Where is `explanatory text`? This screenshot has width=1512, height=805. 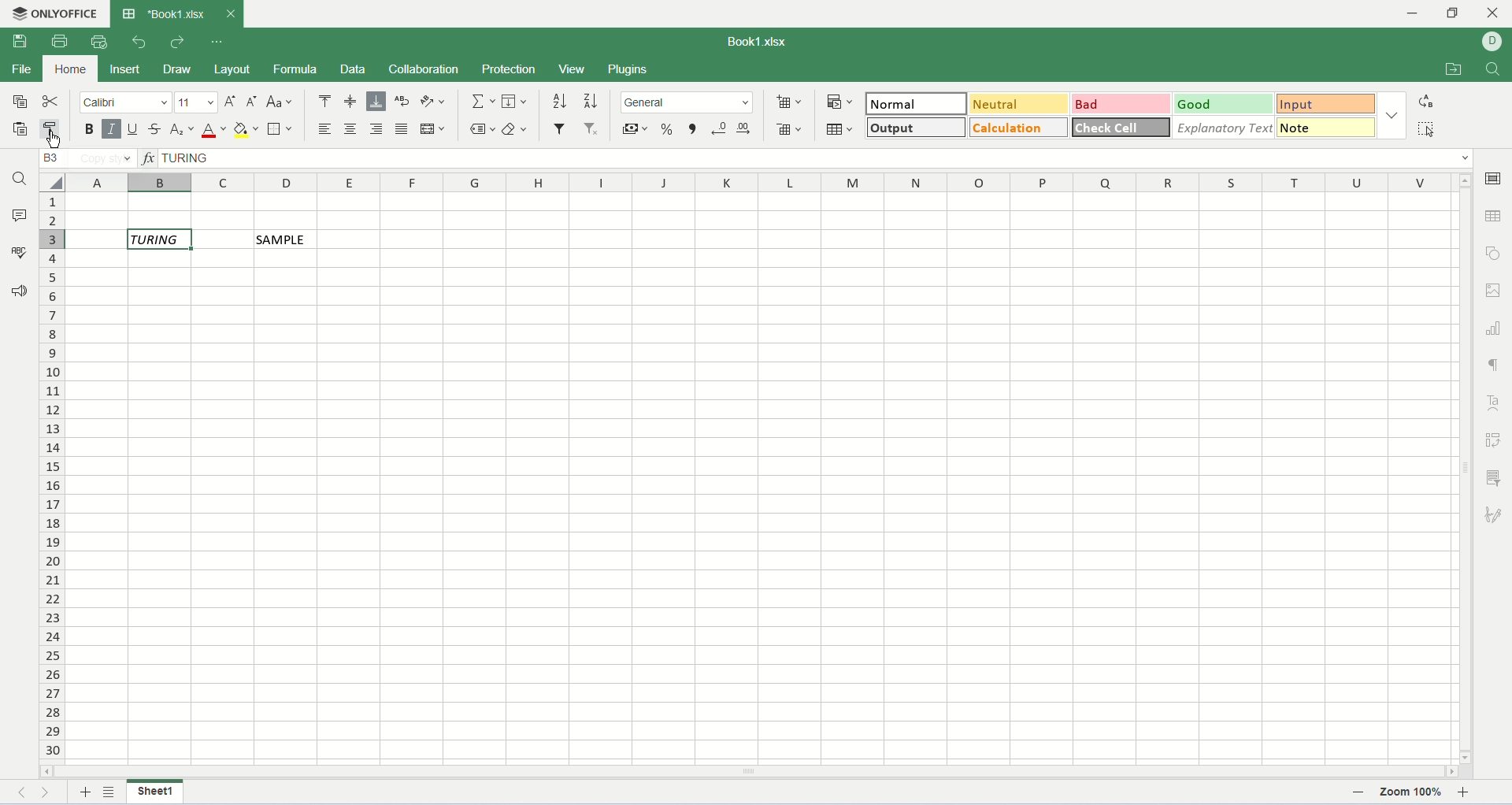
explanatory text is located at coordinates (1223, 128).